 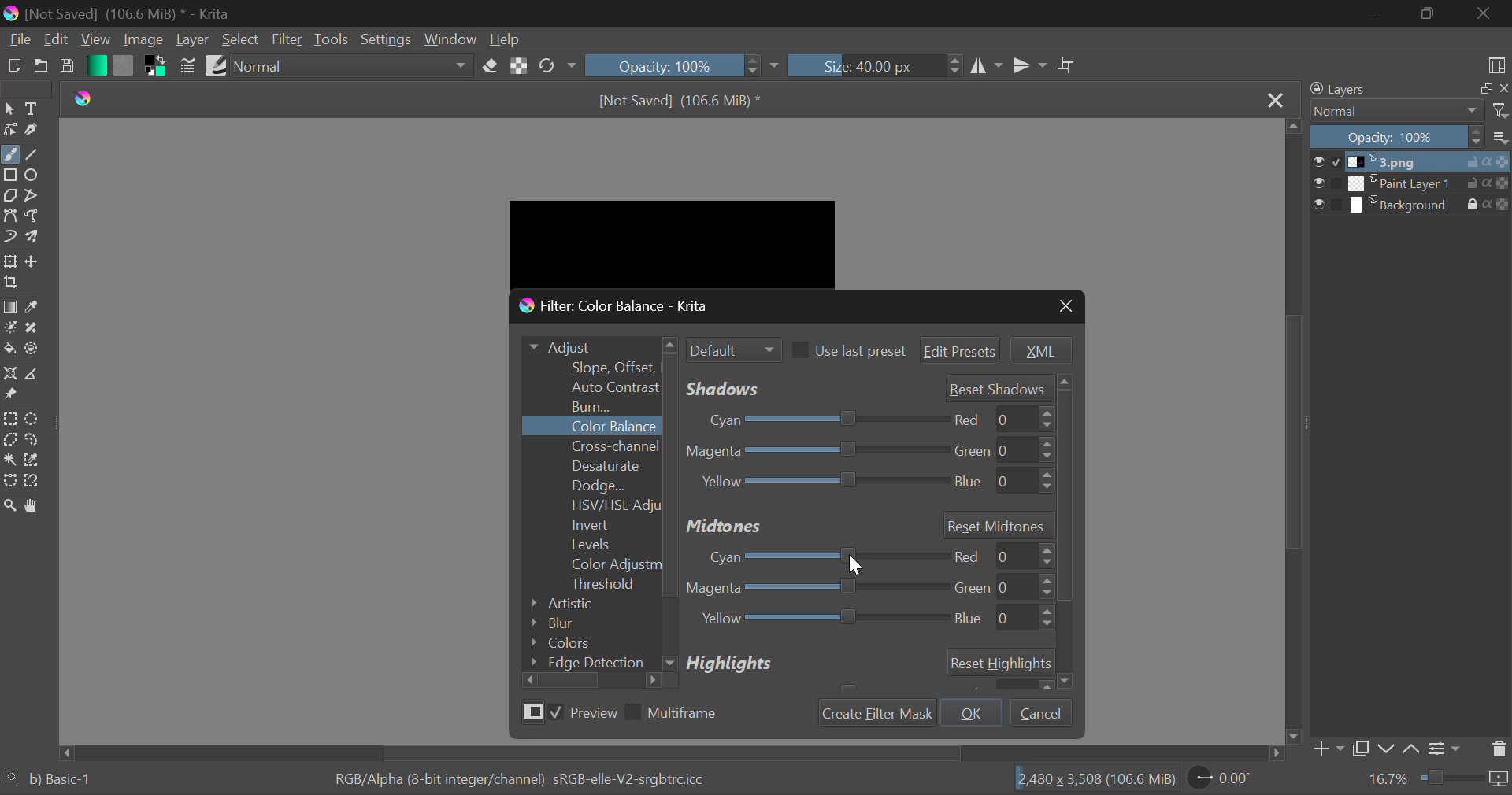 What do you see at coordinates (33, 131) in the screenshot?
I see `Calligraphic Tool` at bounding box center [33, 131].